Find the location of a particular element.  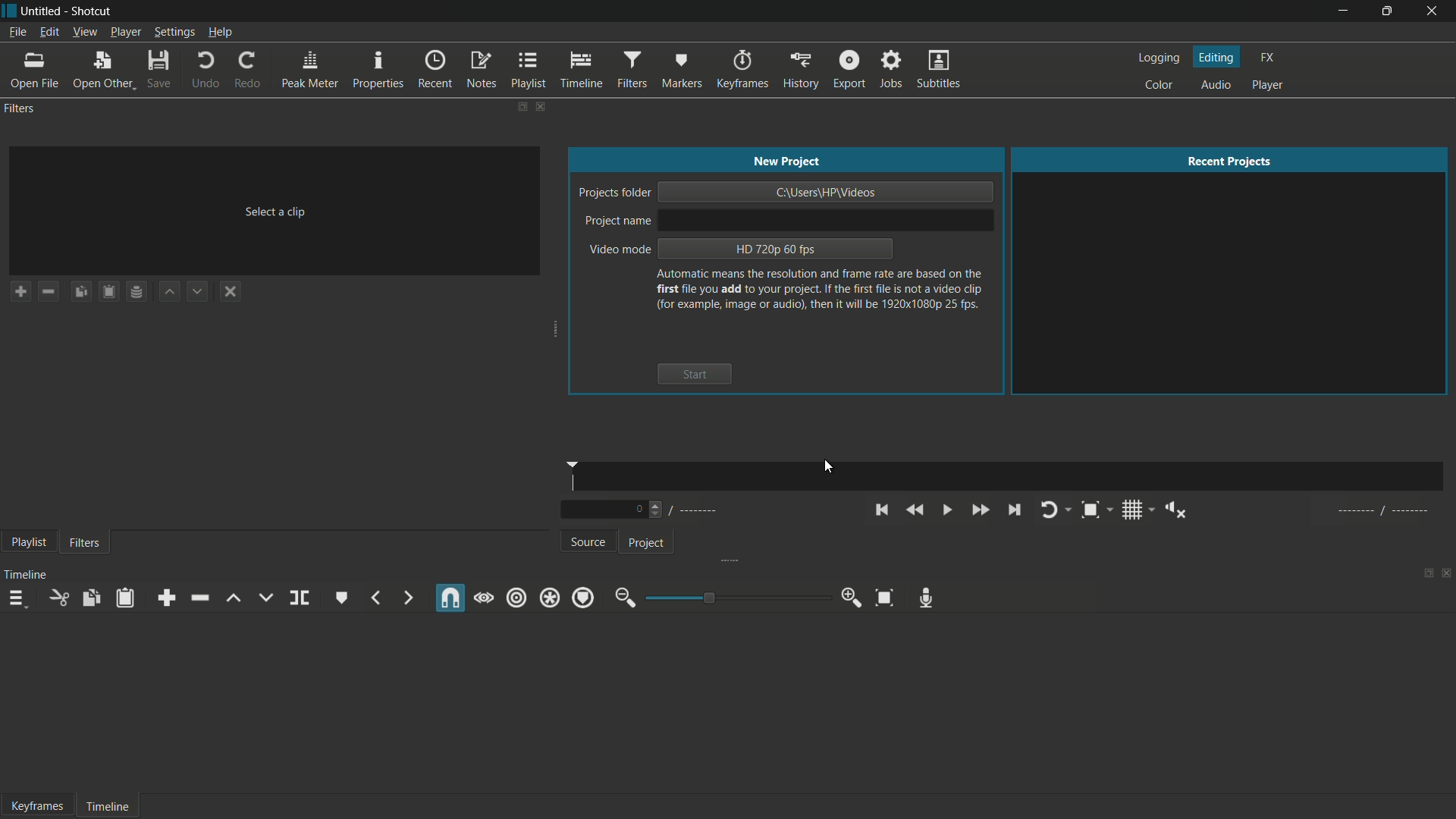

skip to the next point is located at coordinates (1014, 510).